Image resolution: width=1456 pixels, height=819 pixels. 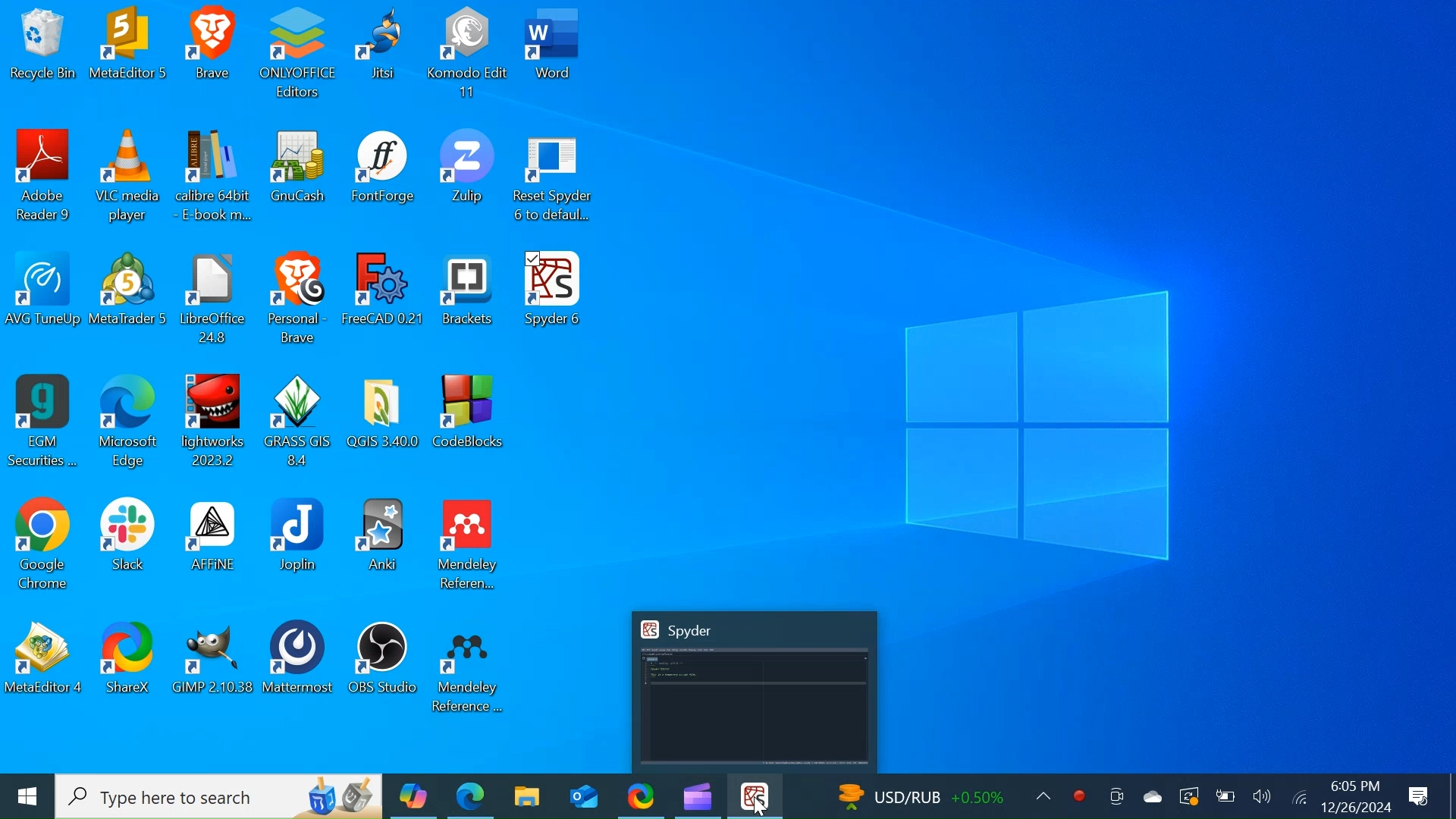 I want to click on Calibre Desktop Icon, so click(x=215, y=178).